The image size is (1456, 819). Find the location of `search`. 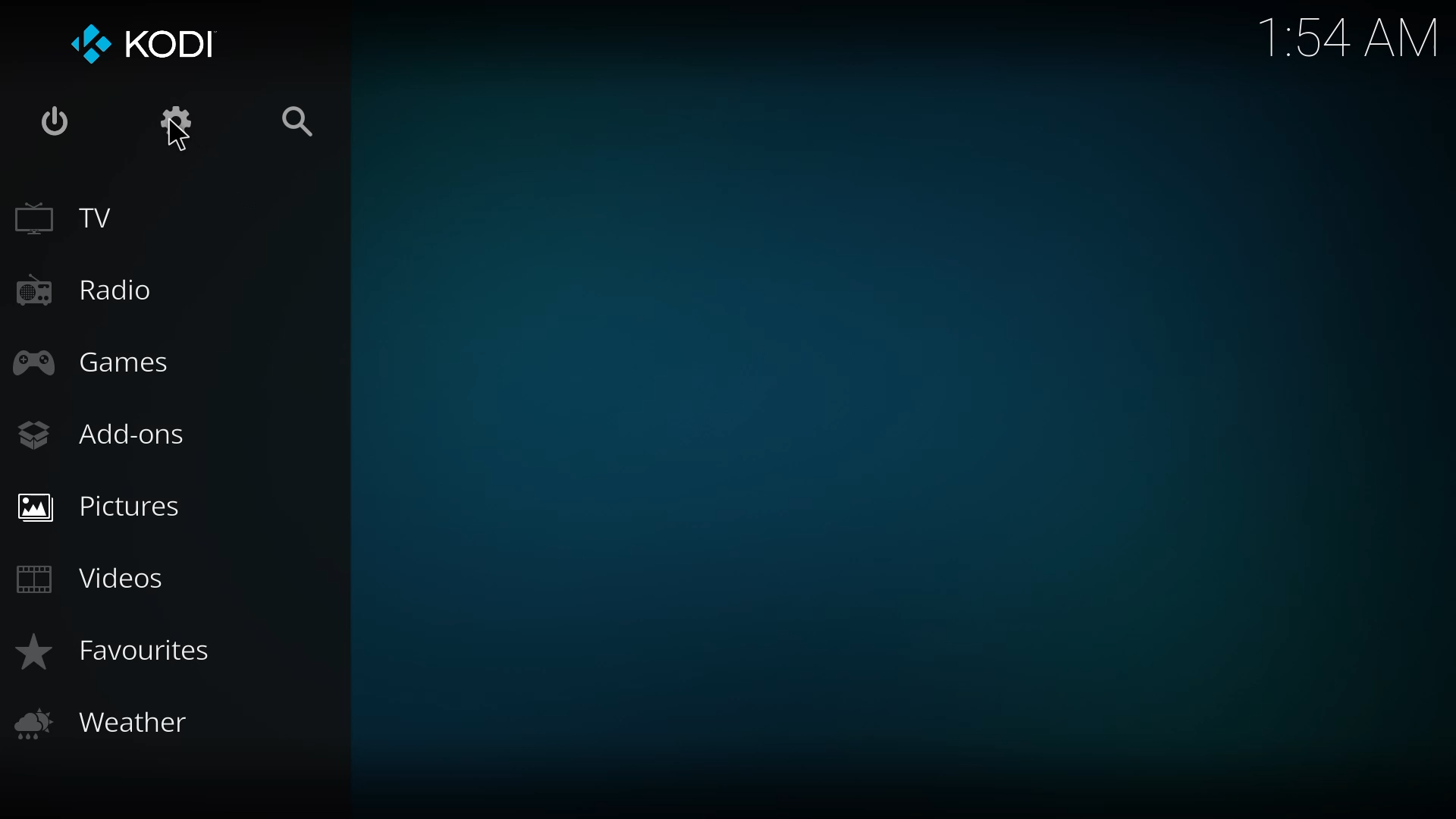

search is located at coordinates (297, 118).